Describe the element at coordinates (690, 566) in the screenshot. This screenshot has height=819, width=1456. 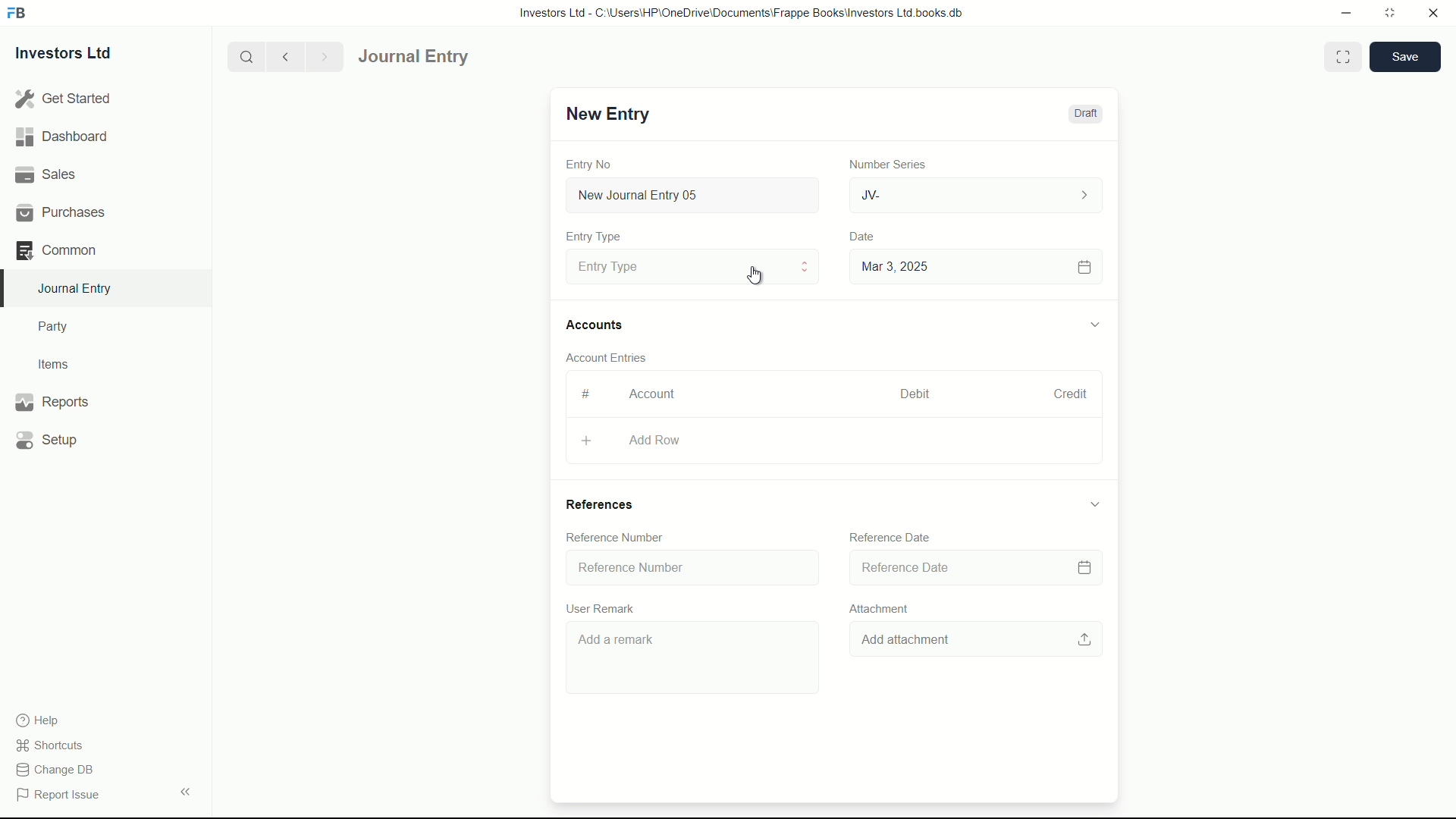
I see `Reference Number` at that location.